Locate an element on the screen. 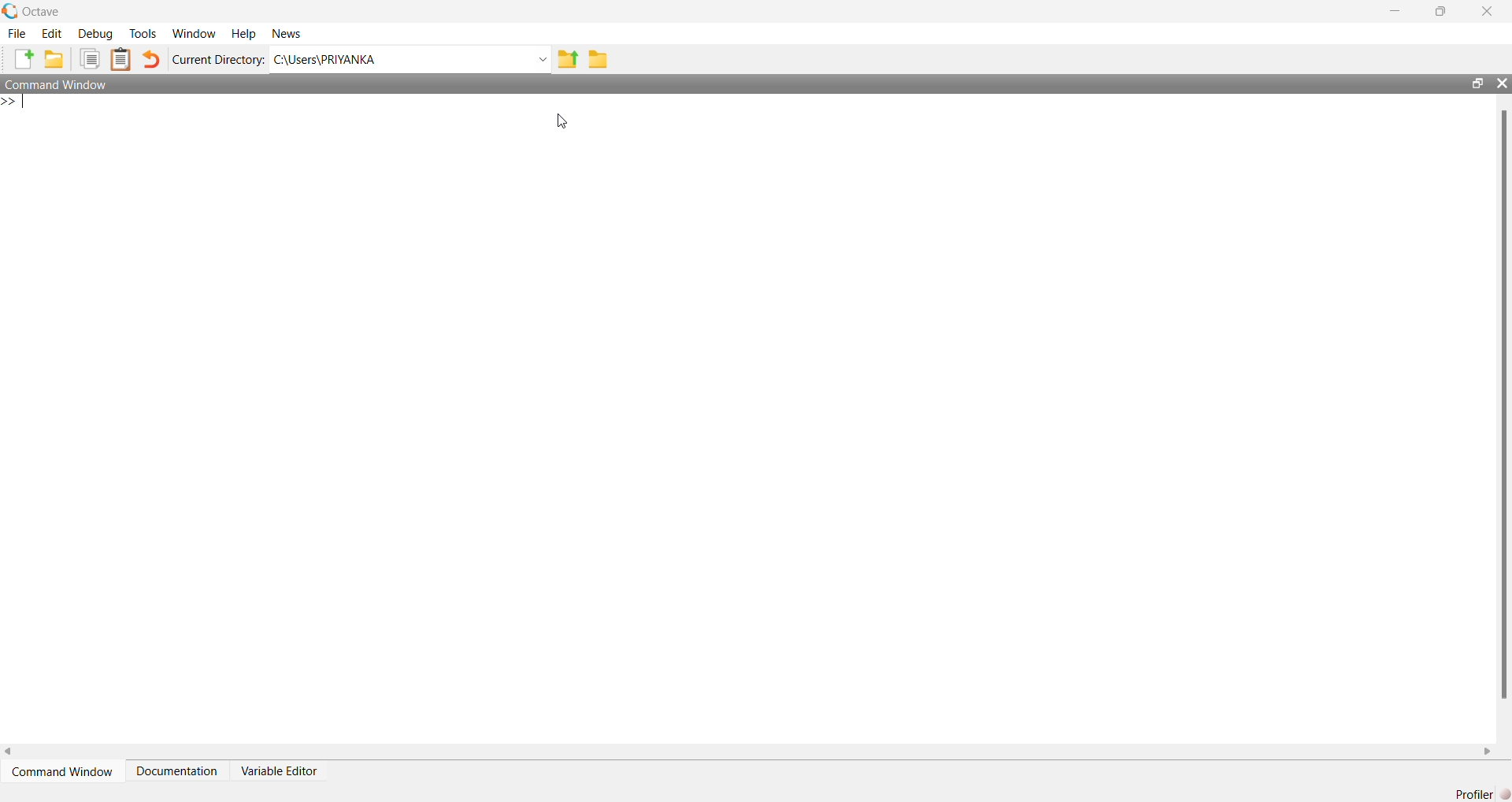 This screenshot has height=802, width=1512. move right is located at coordinates (1490, 751).